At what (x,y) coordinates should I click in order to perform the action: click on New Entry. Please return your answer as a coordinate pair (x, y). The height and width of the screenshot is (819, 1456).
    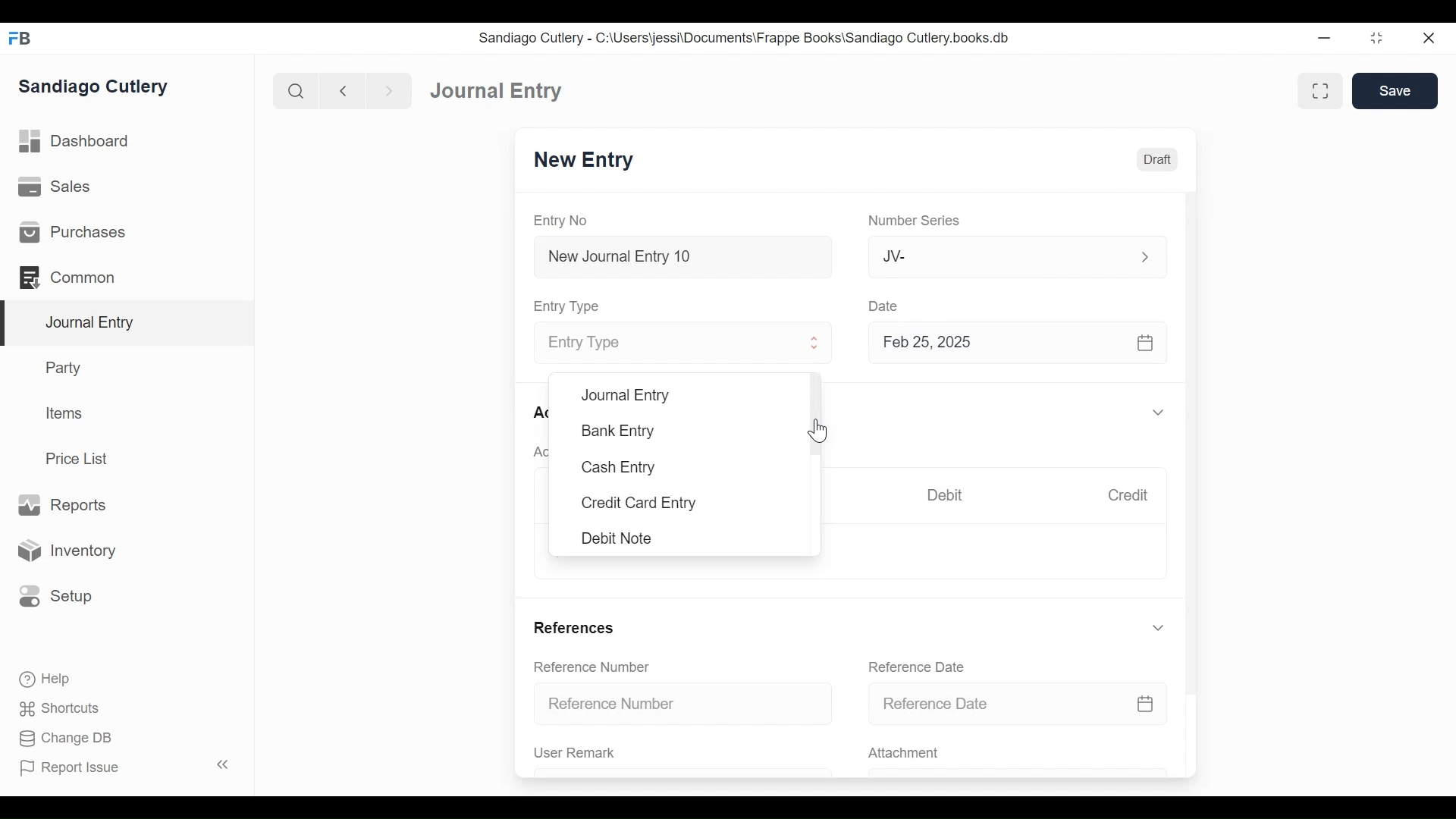
    Looking at the image, I should click on (588, 162).